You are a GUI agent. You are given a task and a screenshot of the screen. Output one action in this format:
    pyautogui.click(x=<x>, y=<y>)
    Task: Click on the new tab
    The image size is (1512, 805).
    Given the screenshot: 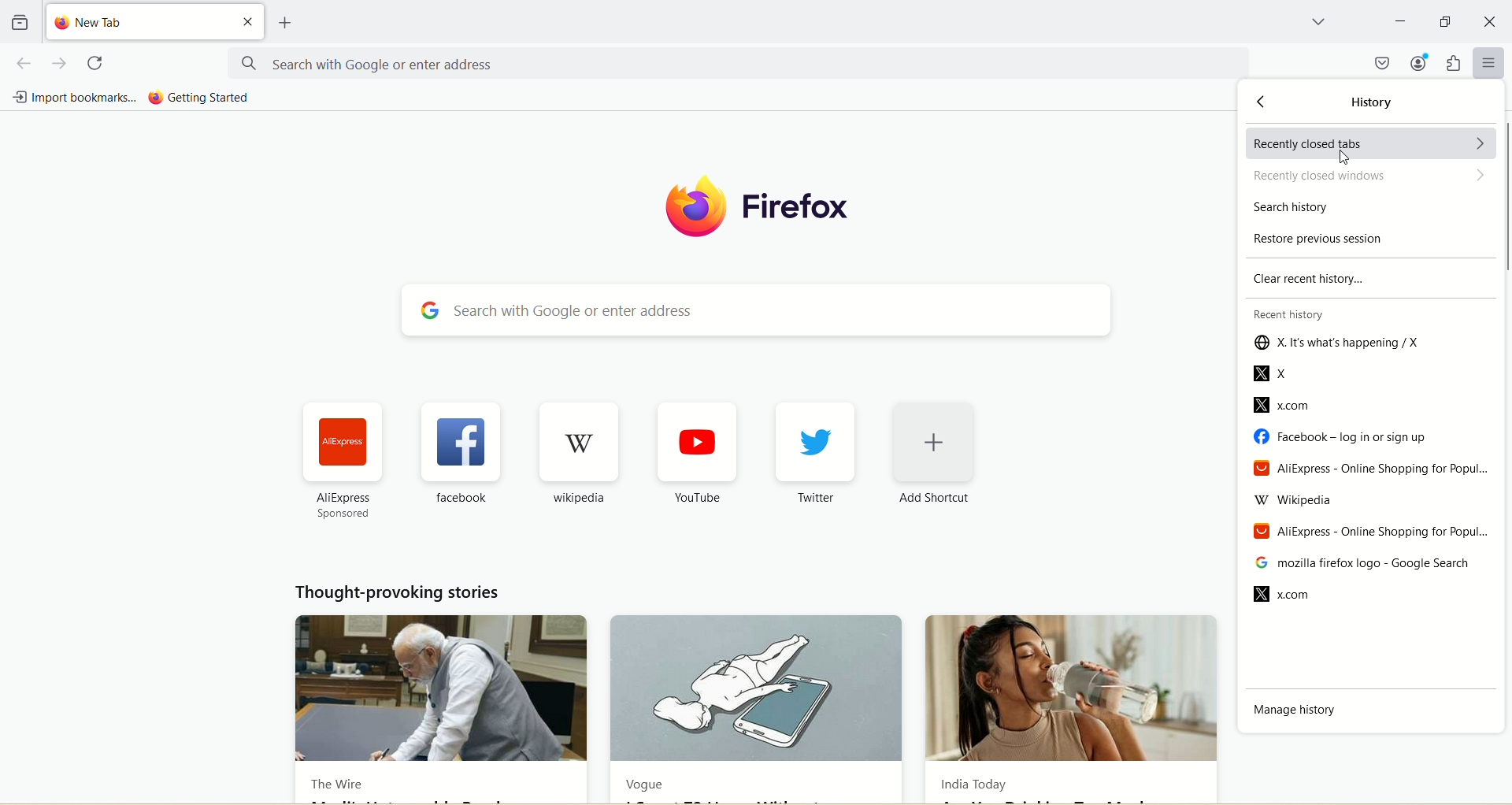 What is the action you would take?
    pyautogui.click(x=135, y=22)
    